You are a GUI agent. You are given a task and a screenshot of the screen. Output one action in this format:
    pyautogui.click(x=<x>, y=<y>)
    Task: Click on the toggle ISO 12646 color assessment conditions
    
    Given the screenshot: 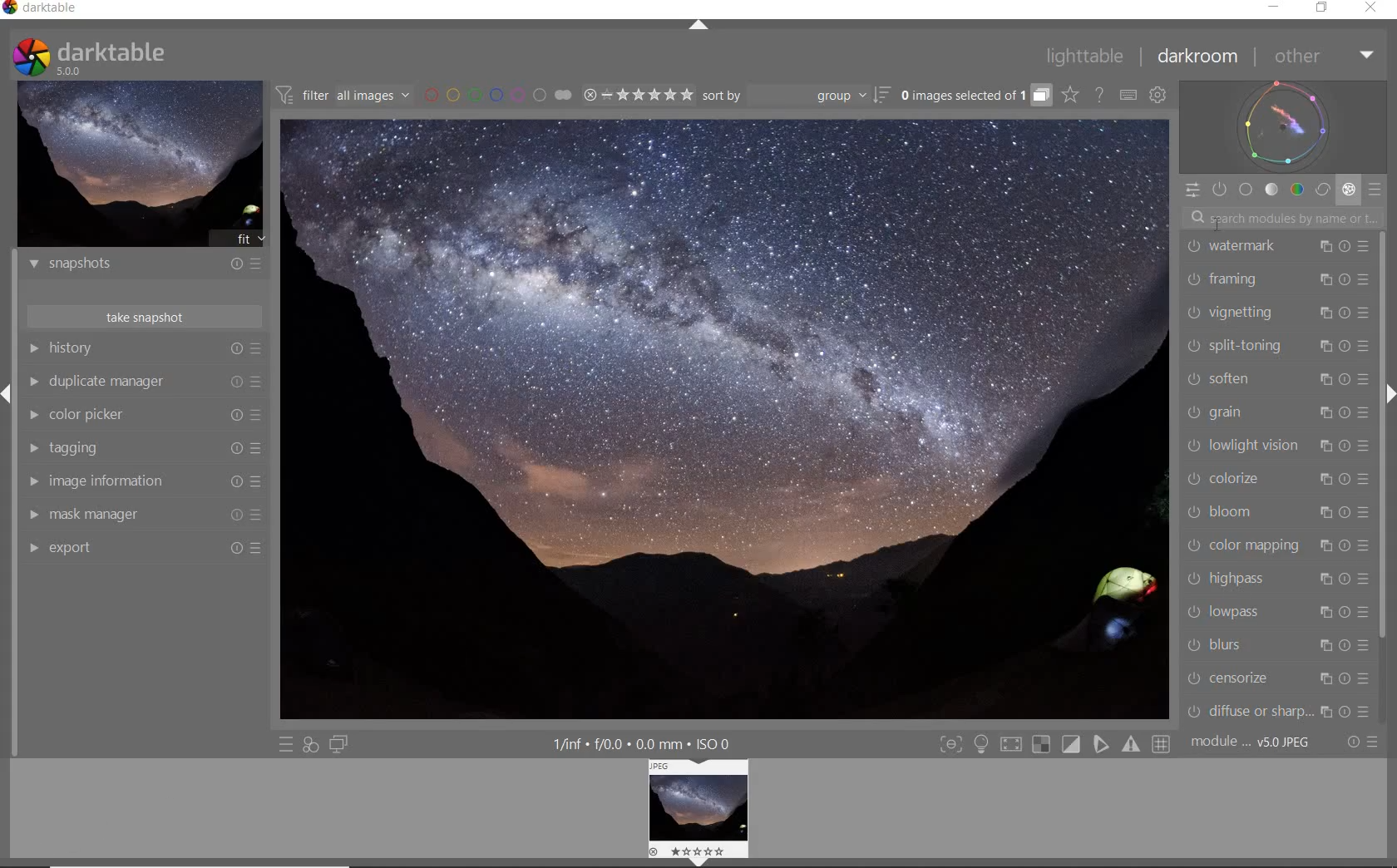 What is the action you would take?
    pyautogui.click(x=989, y=746)
    